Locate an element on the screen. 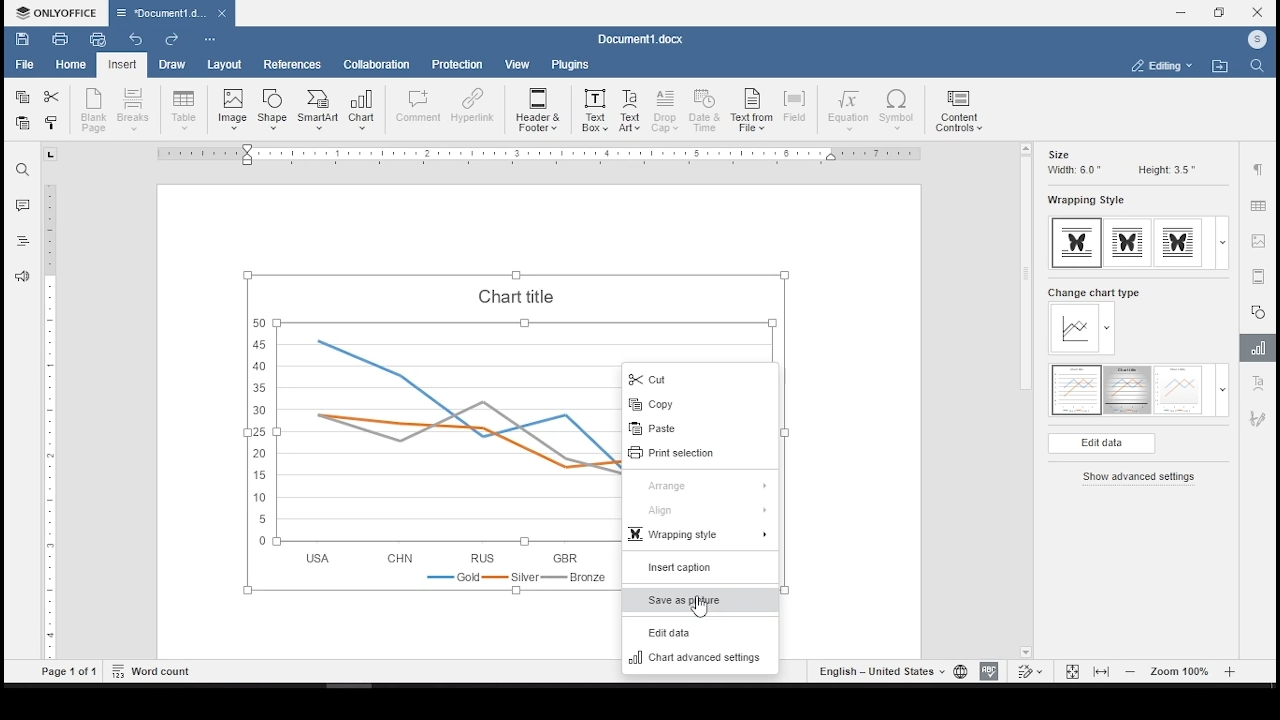 This screenshot has width=1280, height=720. wrapping style is located at coordinates (1178, 243).